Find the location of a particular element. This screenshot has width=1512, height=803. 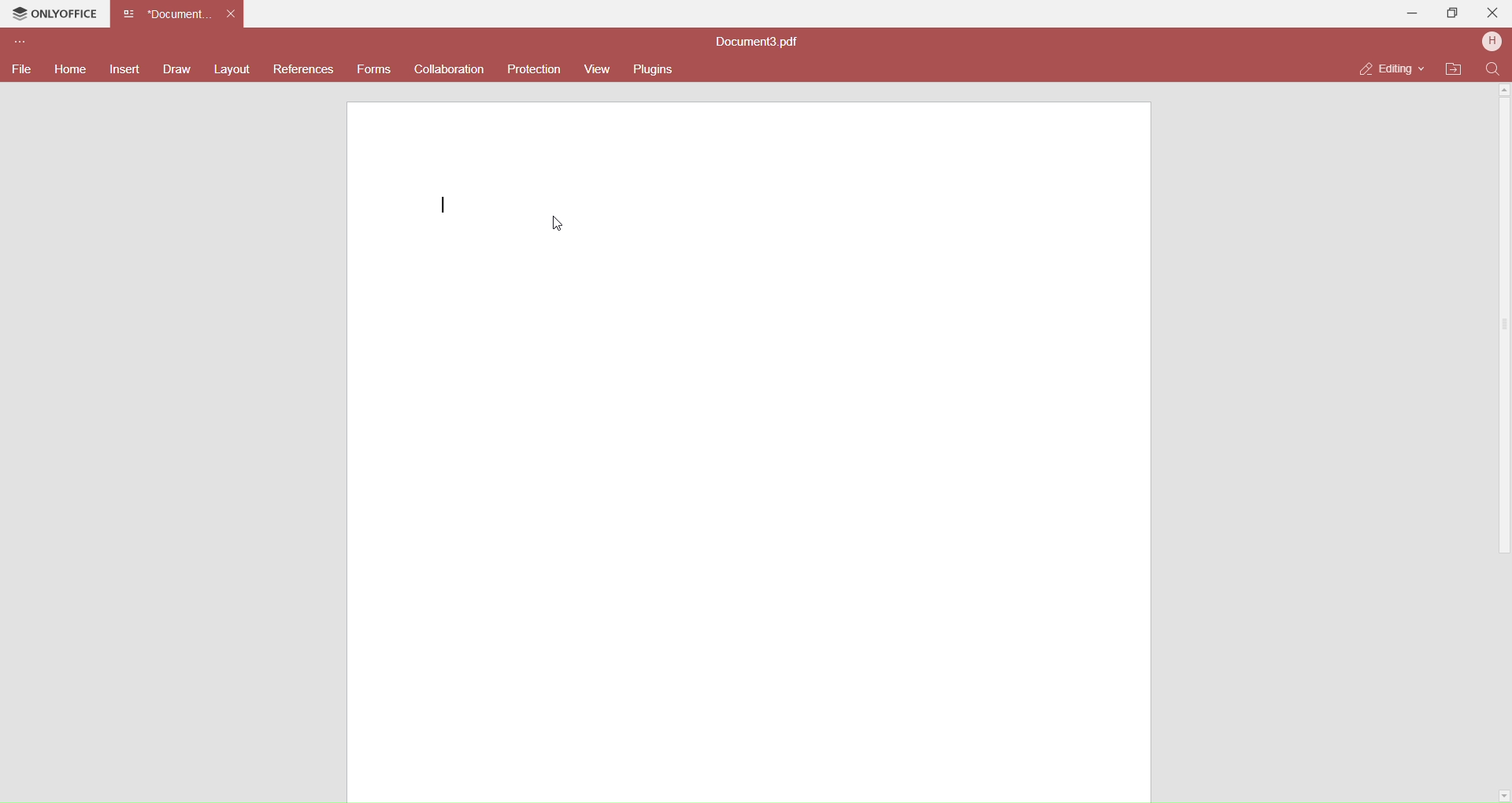

Insert is located at coordinates (127, 70).